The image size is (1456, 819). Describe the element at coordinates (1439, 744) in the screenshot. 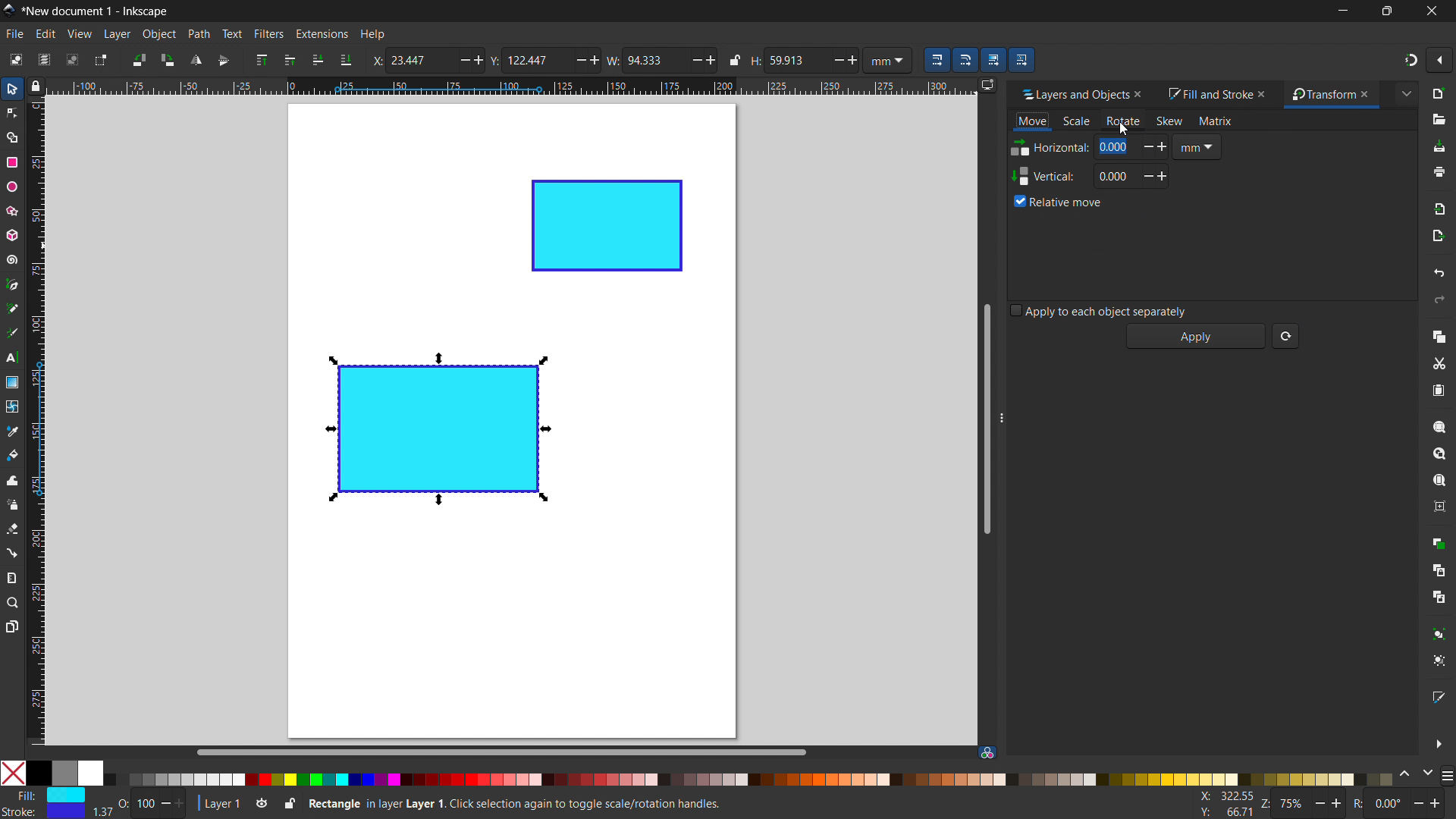

I see `more options` at that location.